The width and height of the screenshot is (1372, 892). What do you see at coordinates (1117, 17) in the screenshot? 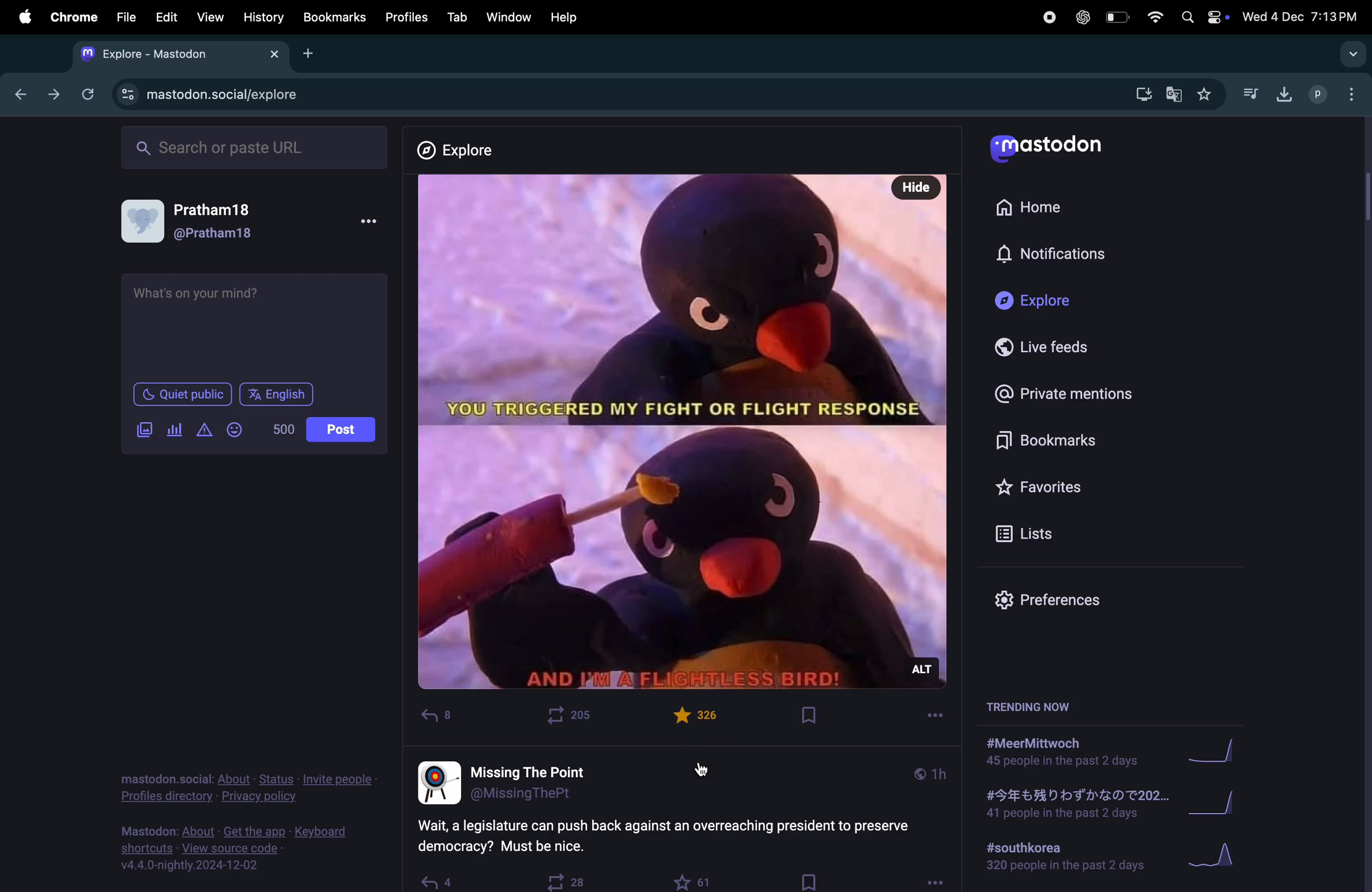
I see `battery` at bounding box center [1117, 17].